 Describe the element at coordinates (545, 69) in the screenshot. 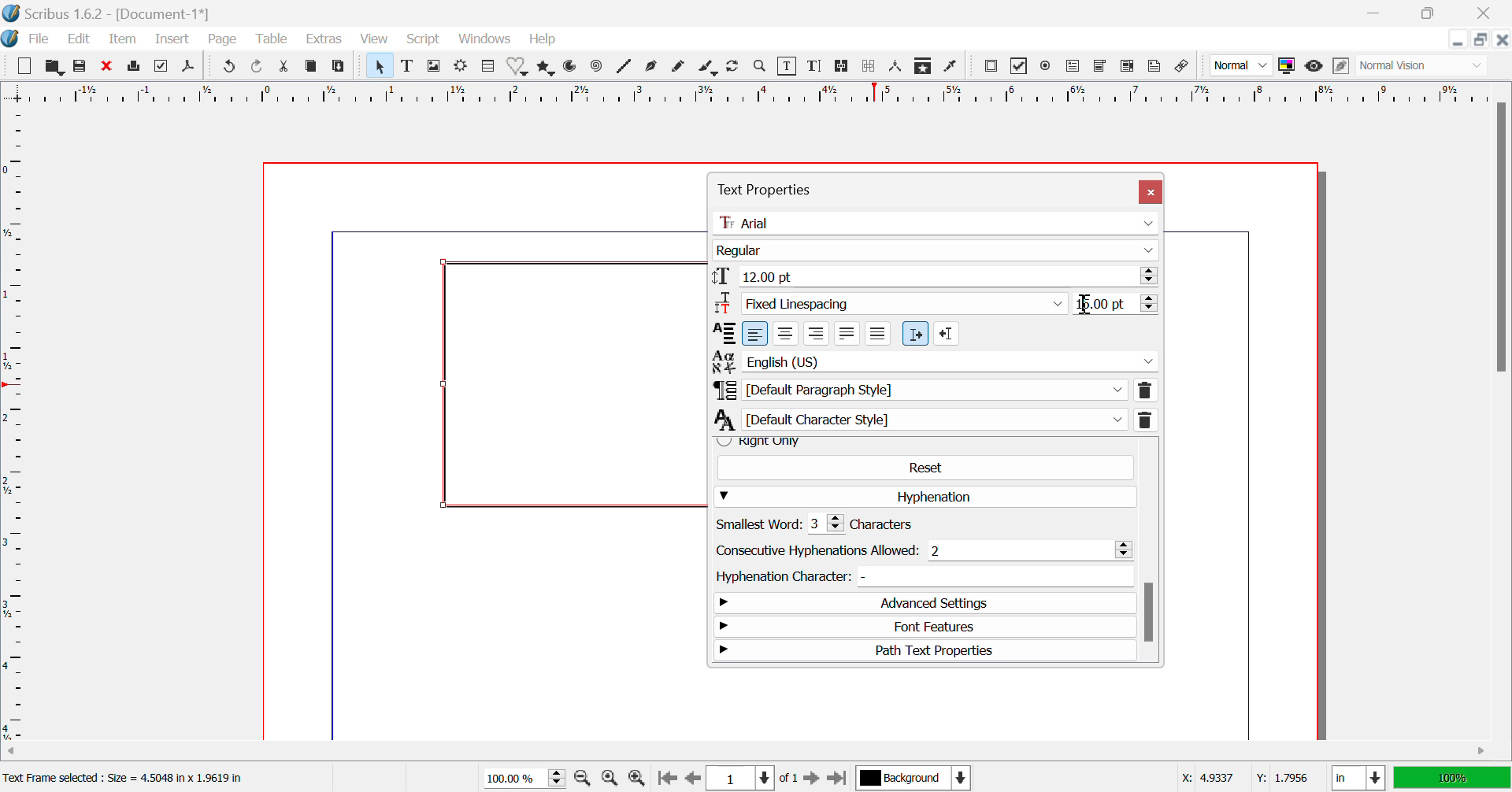

I see `Polygons` at that location.